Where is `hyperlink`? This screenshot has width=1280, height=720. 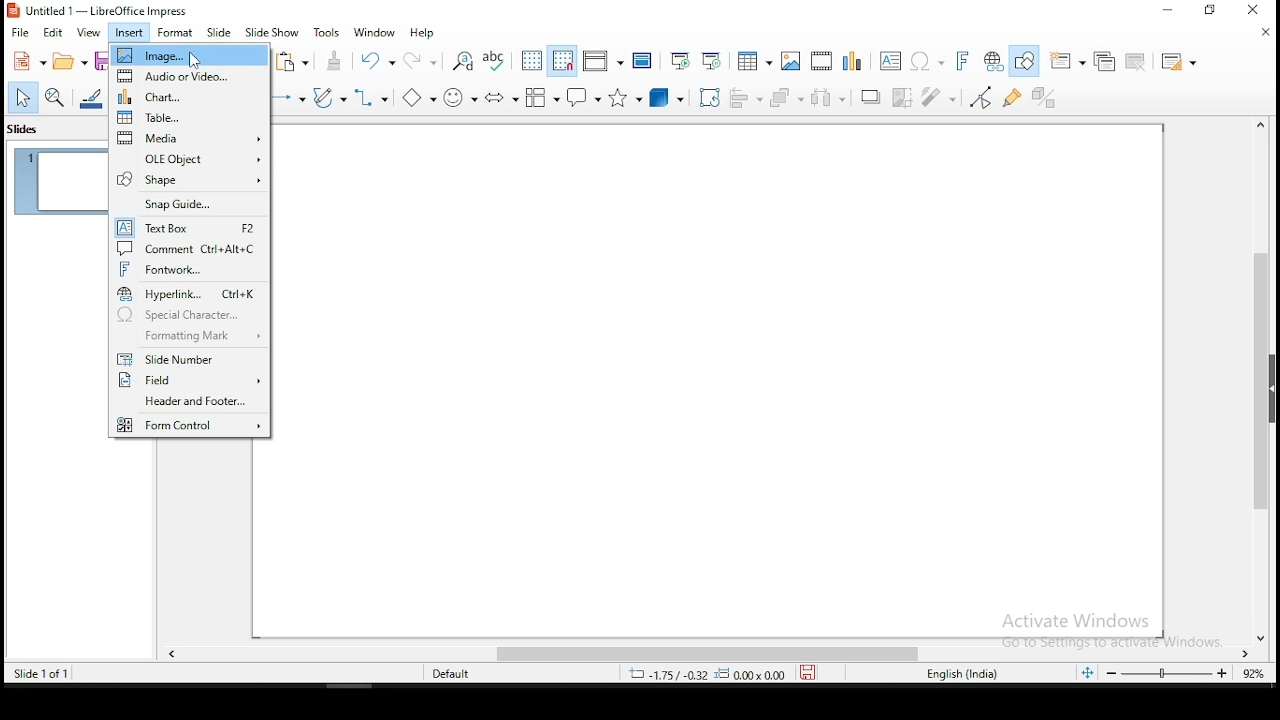
hyperlink is located at coordinates (189, 292).